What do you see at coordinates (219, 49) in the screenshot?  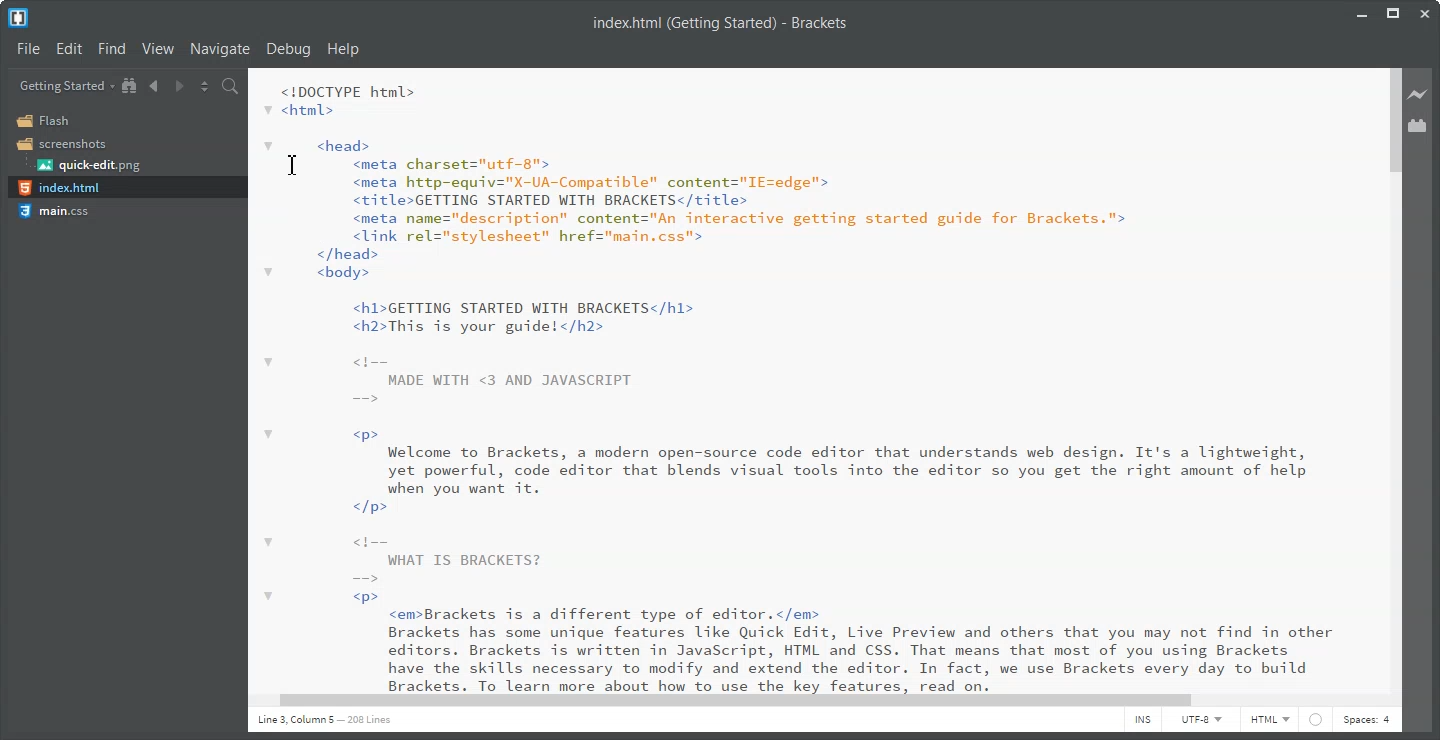 I see `Navigate` at bounding box center [219, 49].